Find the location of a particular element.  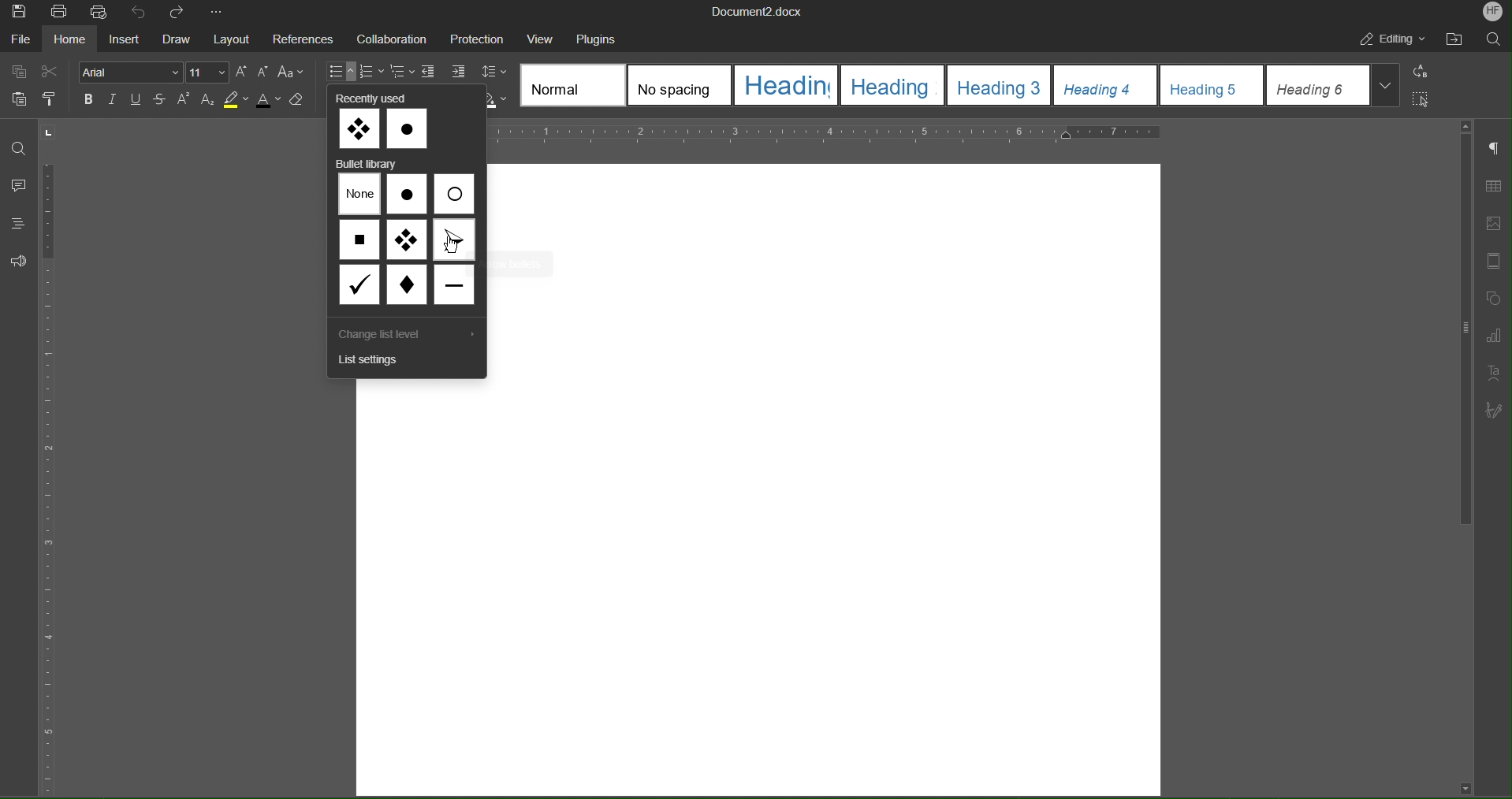

Shape Settings is located at coordinates (1489, 297).